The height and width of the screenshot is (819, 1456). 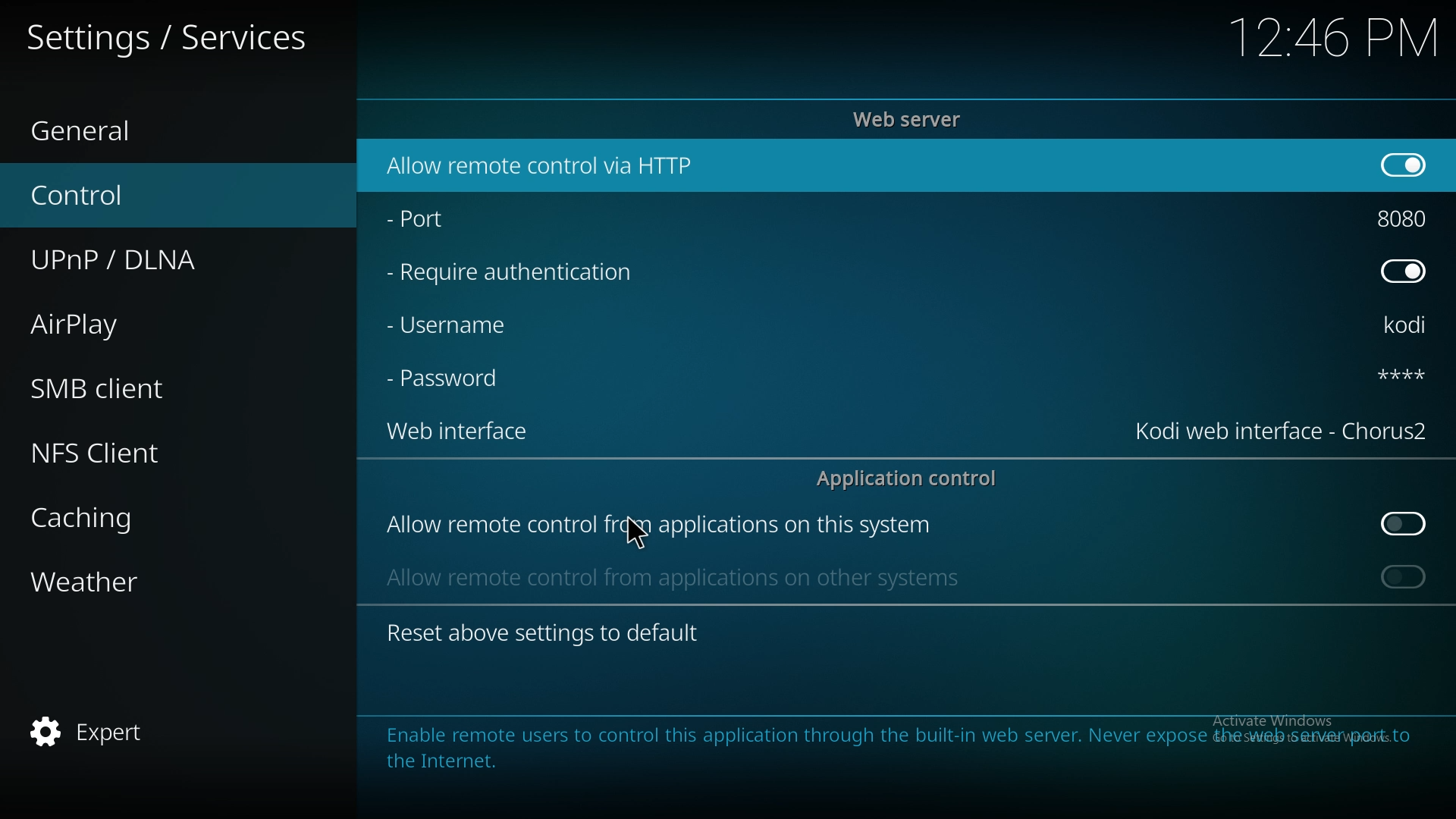 I want to click on smb client, so click(x=132, y=383).